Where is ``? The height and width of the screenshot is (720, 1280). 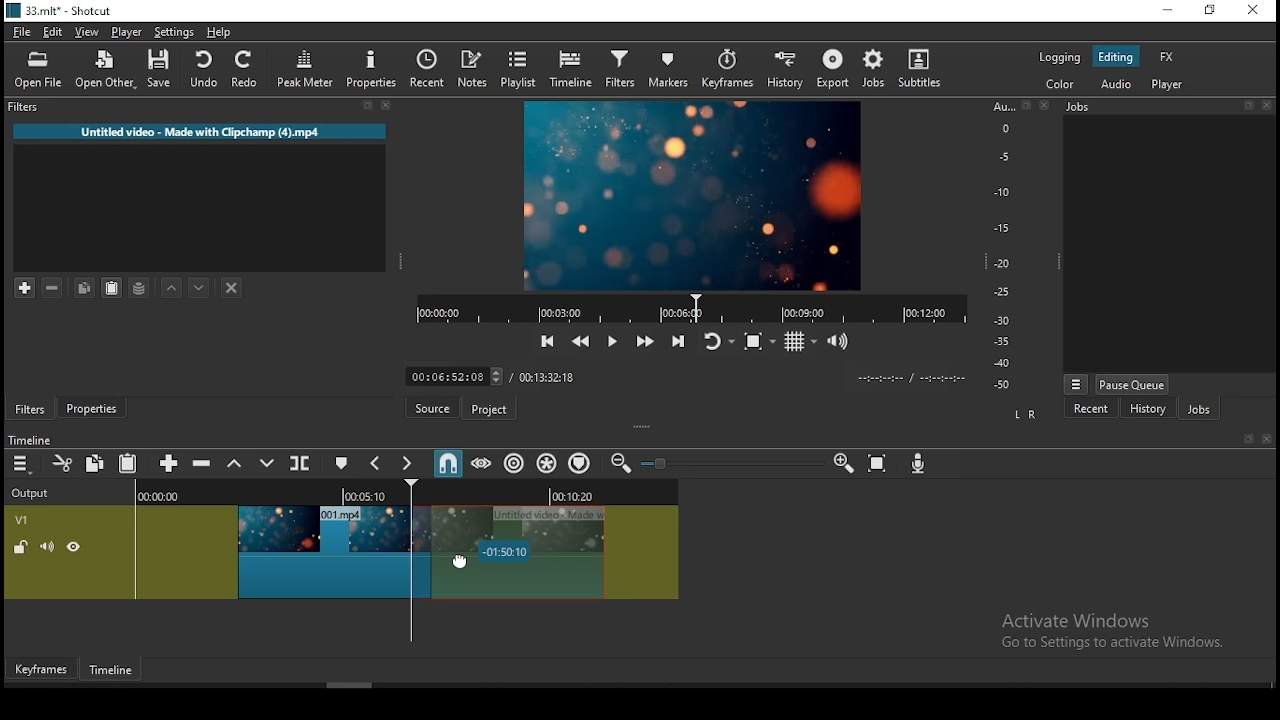
 is located at coordinates (844, 464).